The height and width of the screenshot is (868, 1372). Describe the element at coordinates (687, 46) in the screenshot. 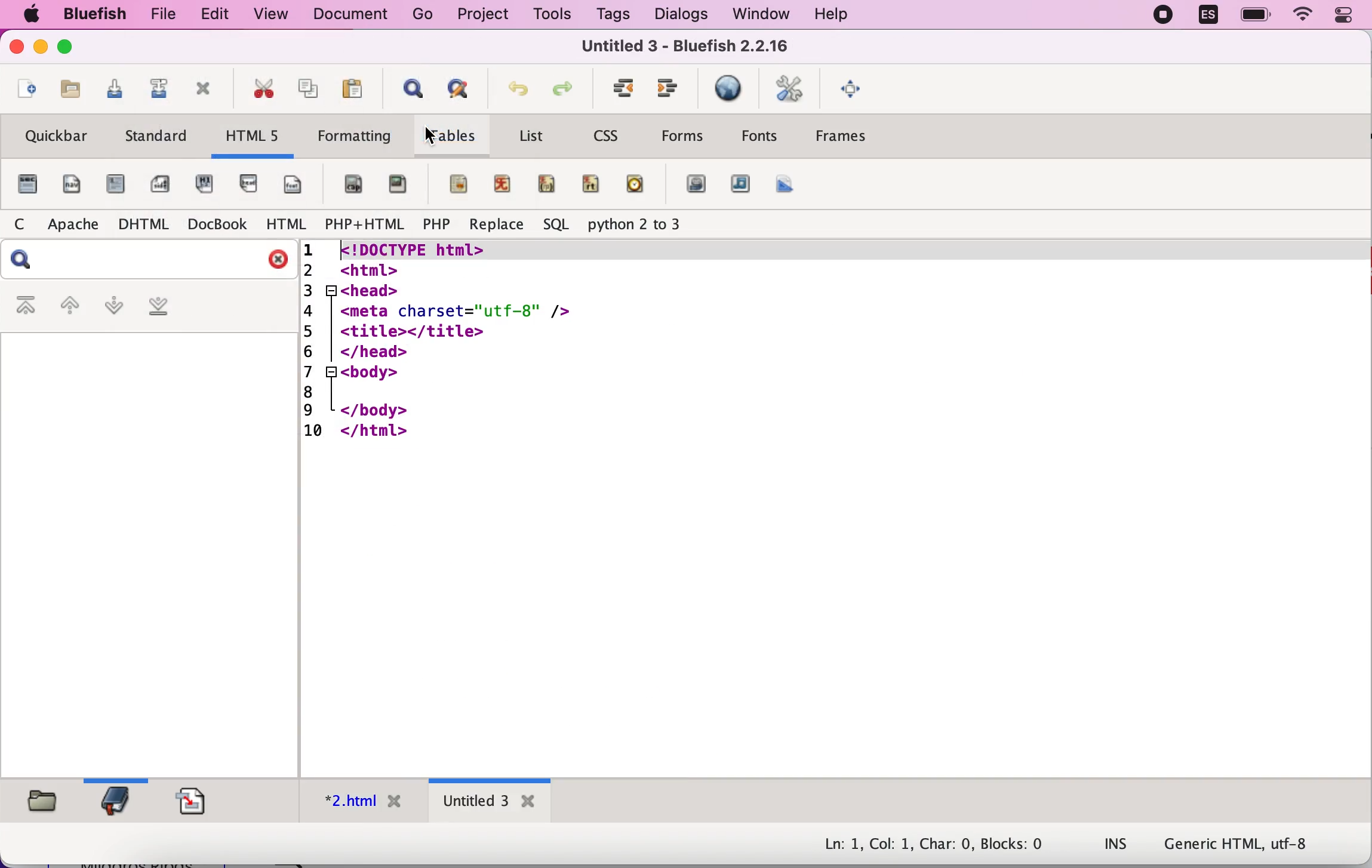

I see `Untitled 3 - Bluefish 2.2.16` at that location.